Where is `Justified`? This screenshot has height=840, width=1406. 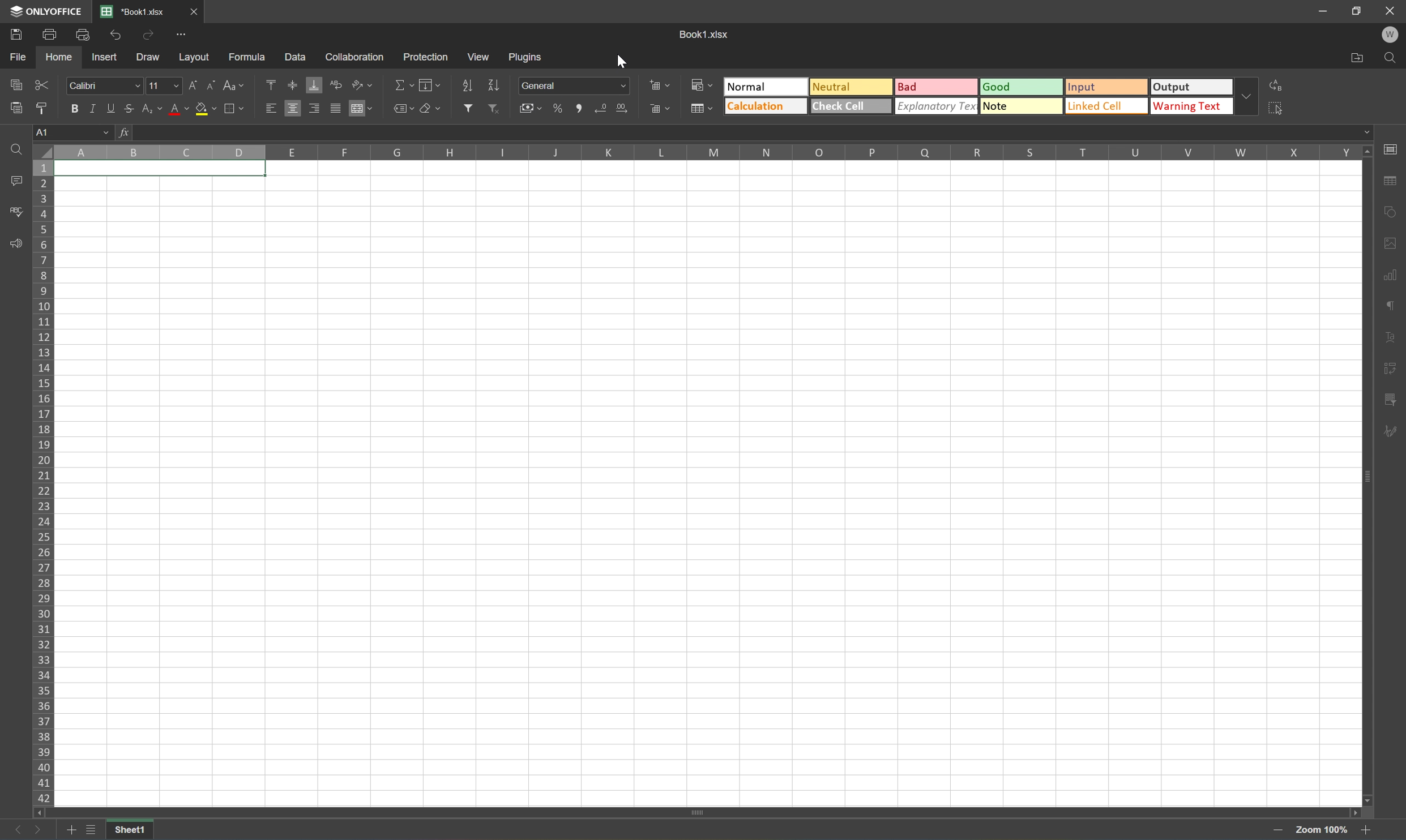 Justified is located at coordinates (336, 109).